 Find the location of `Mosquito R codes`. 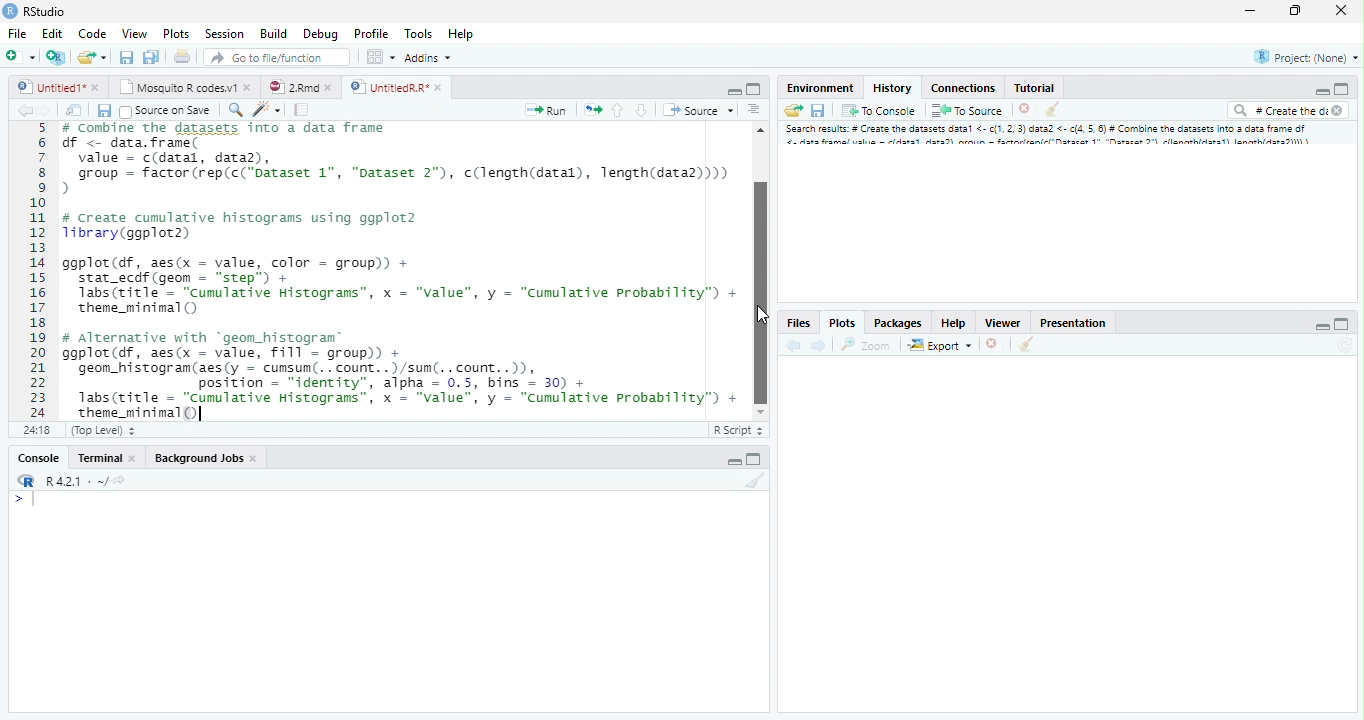

Mosquito R codes is located at coordinates (188, 87).